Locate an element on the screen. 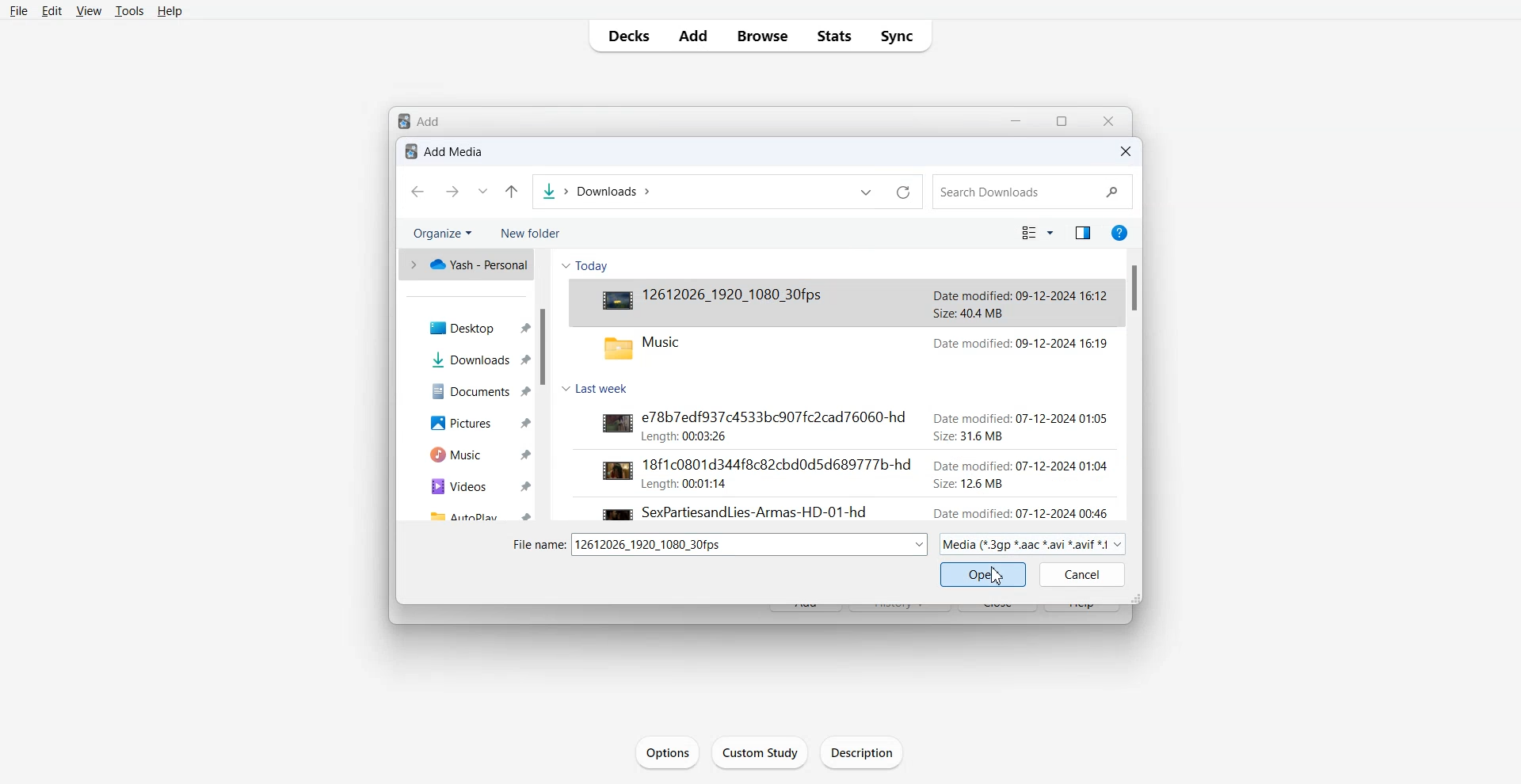  Custom Study is located at coordinates (760, 752).